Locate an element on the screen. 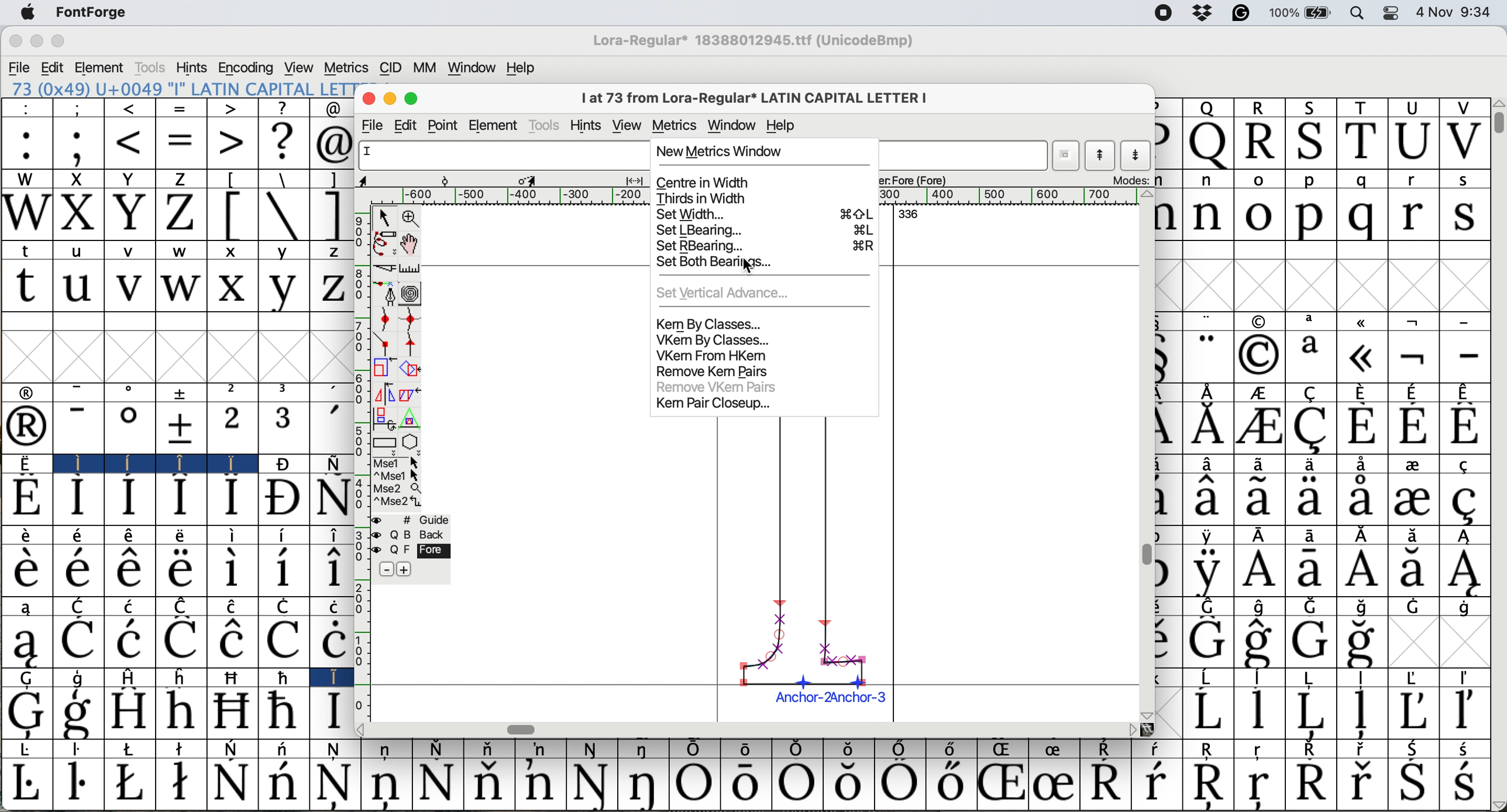 This screenshot has height=812, width=1507. thirds in width is located at coordinates (704, 197).